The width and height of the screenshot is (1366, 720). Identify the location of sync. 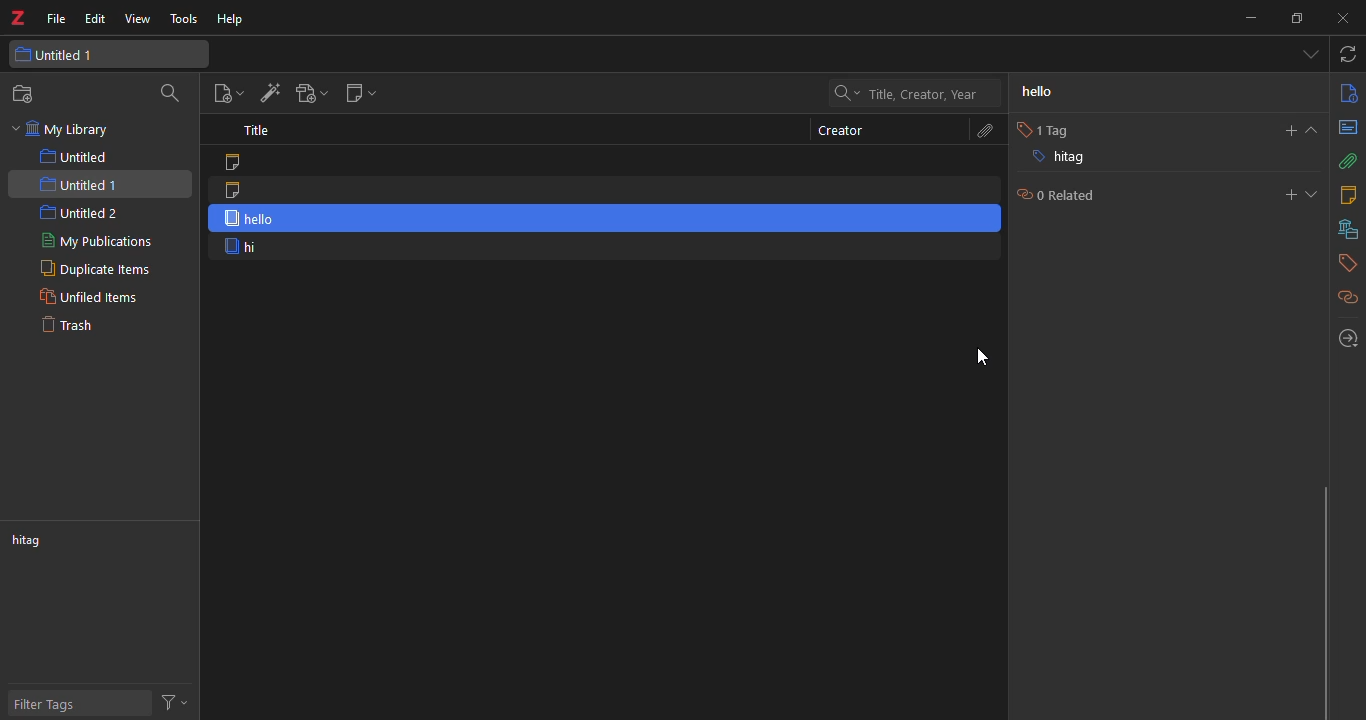
(1349, 56).